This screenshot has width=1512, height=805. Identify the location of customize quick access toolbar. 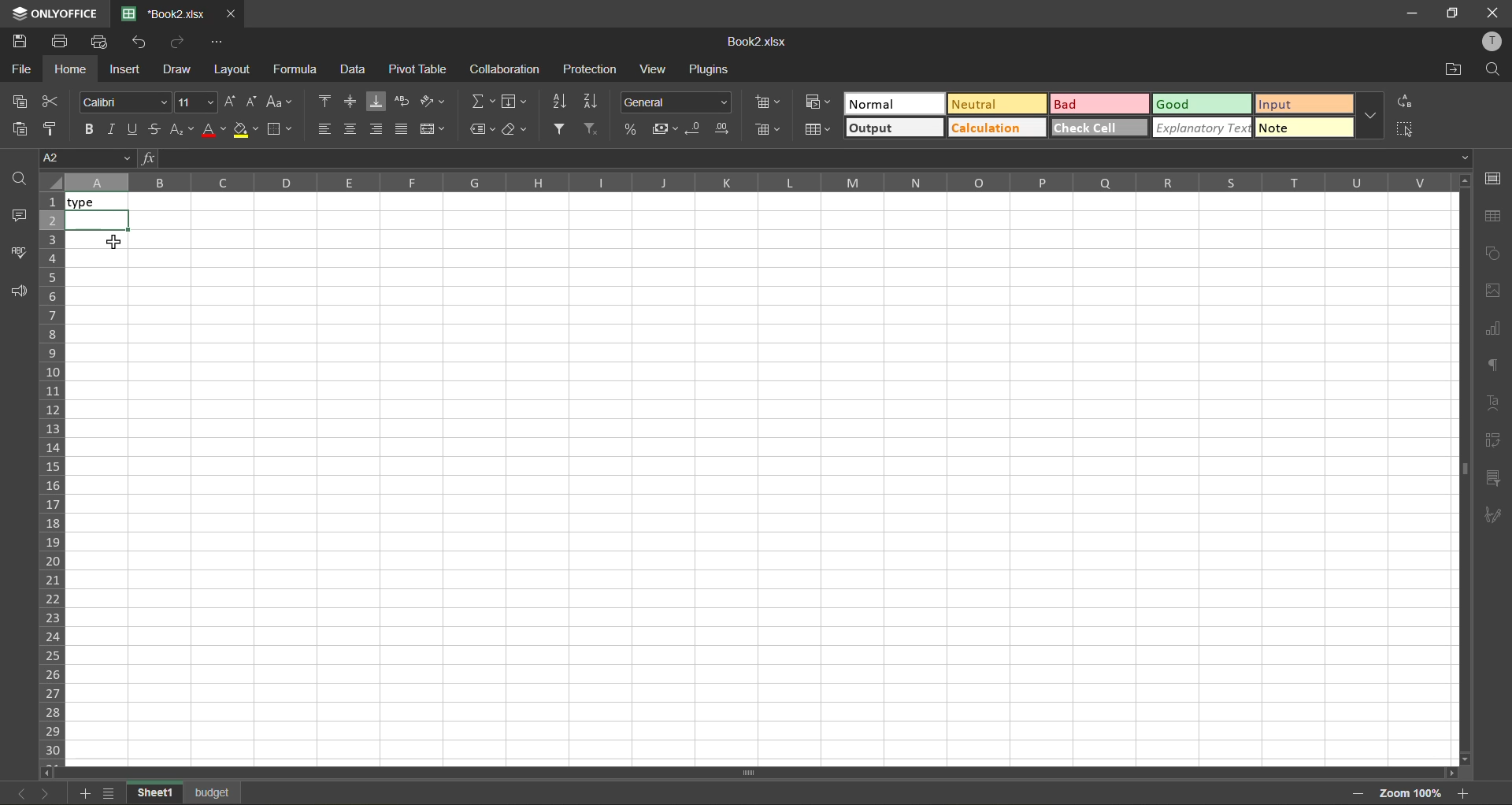
(221, 42).